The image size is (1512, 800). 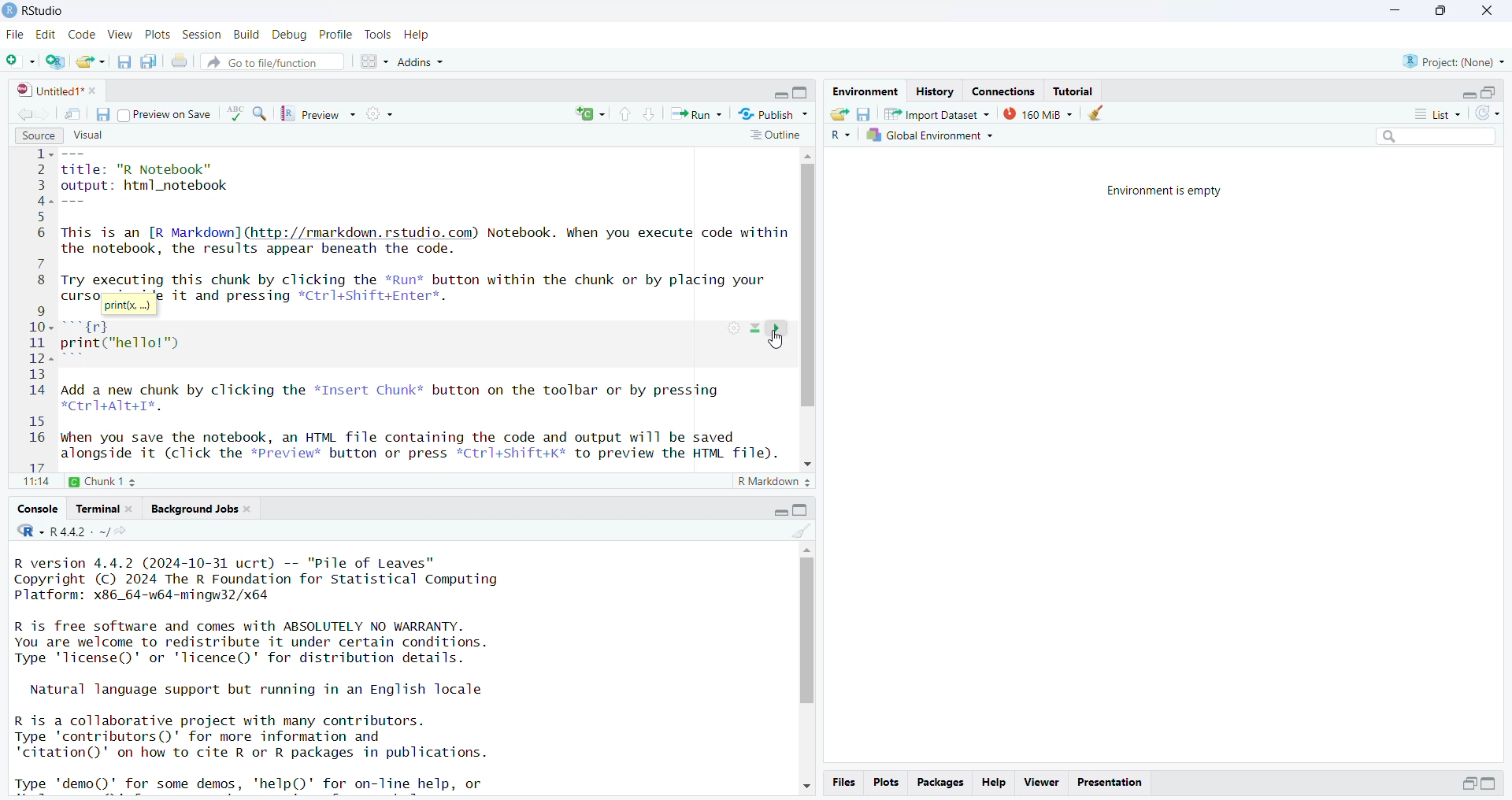 I want to click on file, so click(x=17, y=35).